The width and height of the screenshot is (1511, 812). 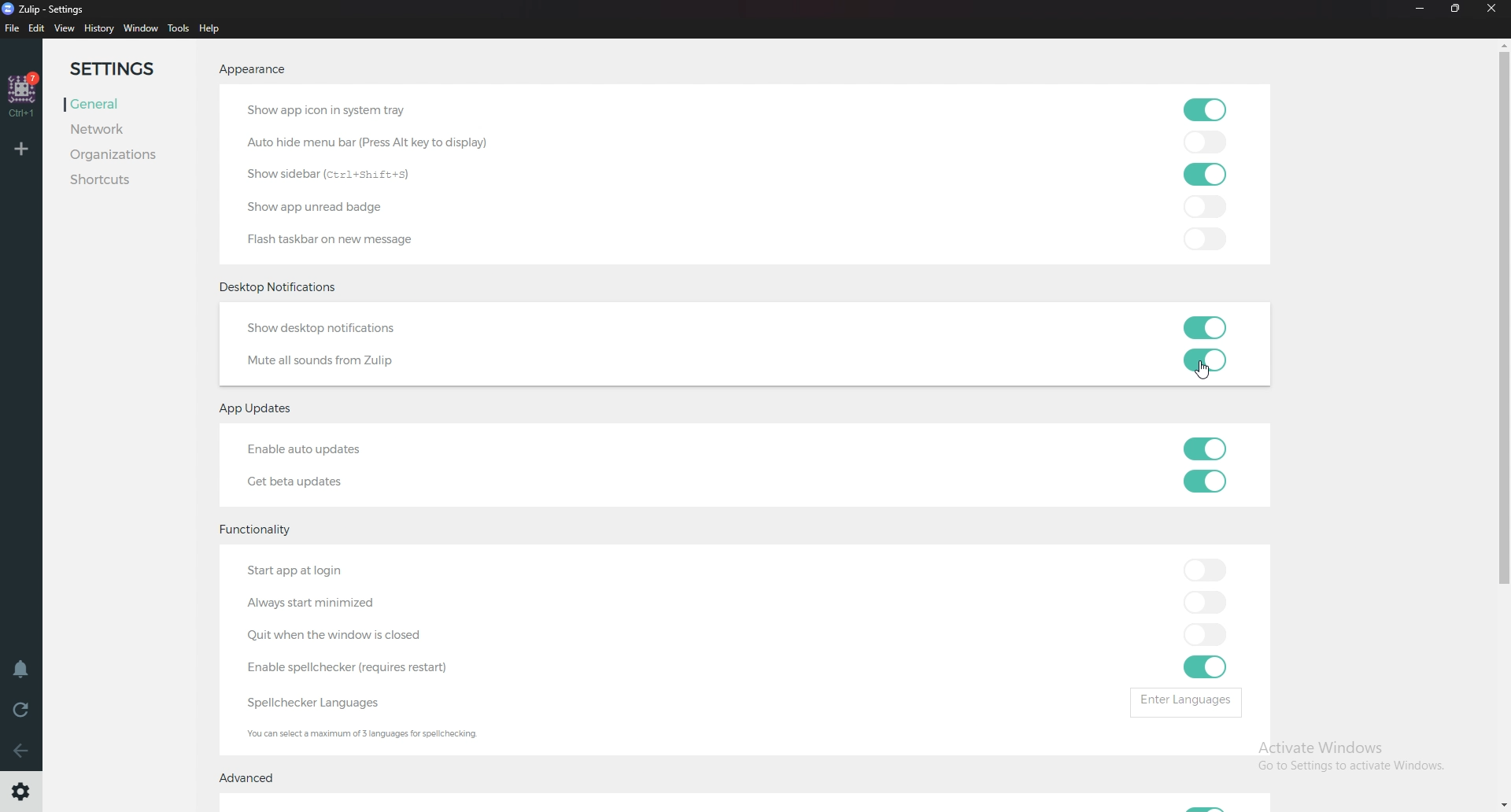 What do you see at coordinates (1205, 573) in the screenshot?
I see `toggle` at bounding box center [1205, 573].